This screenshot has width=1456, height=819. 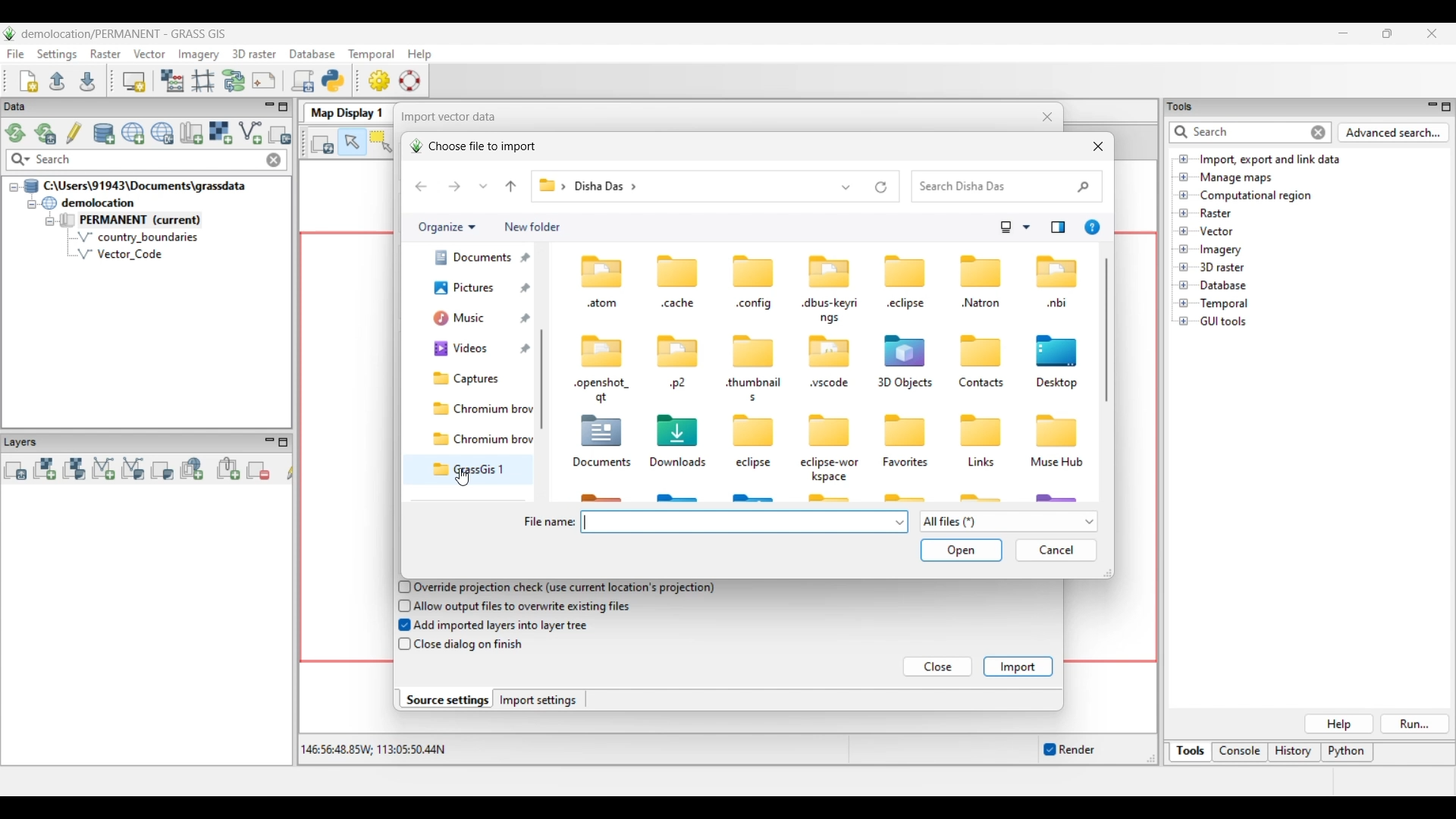 I want to click on «config, so click(x=755, y=306).